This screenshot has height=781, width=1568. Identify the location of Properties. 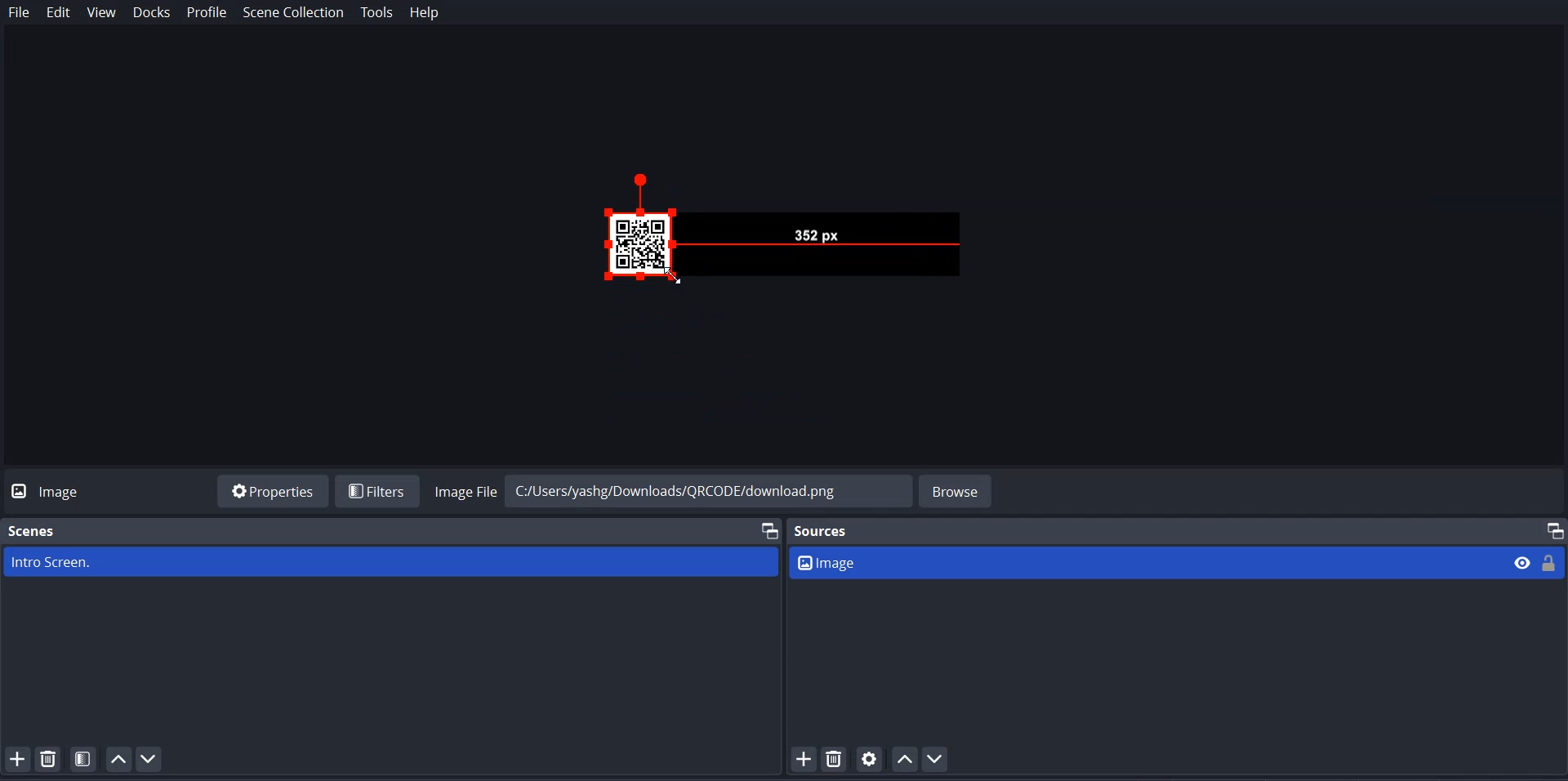
(273, 490).